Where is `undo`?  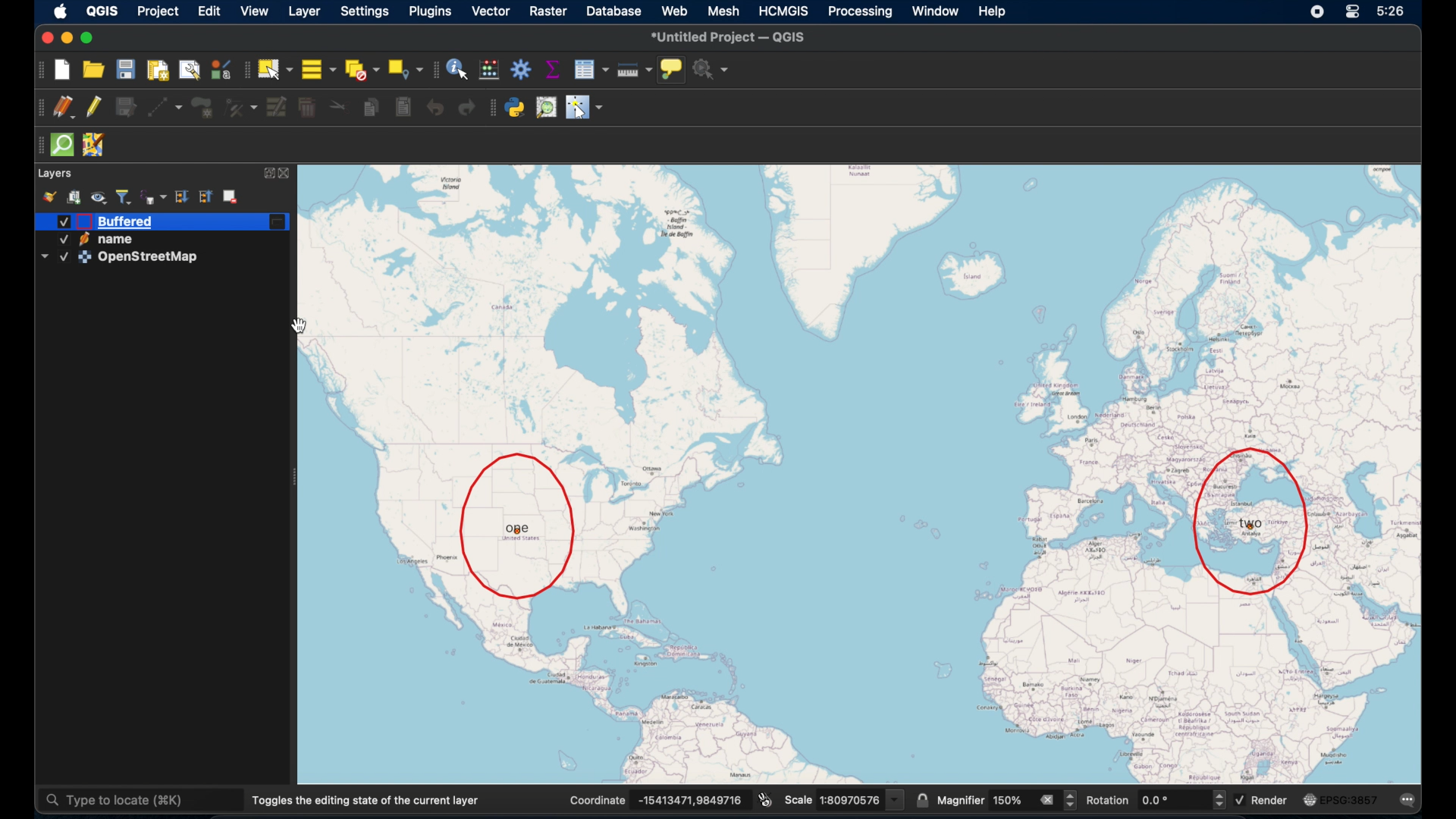 undo is located at coordinates (436, 109).